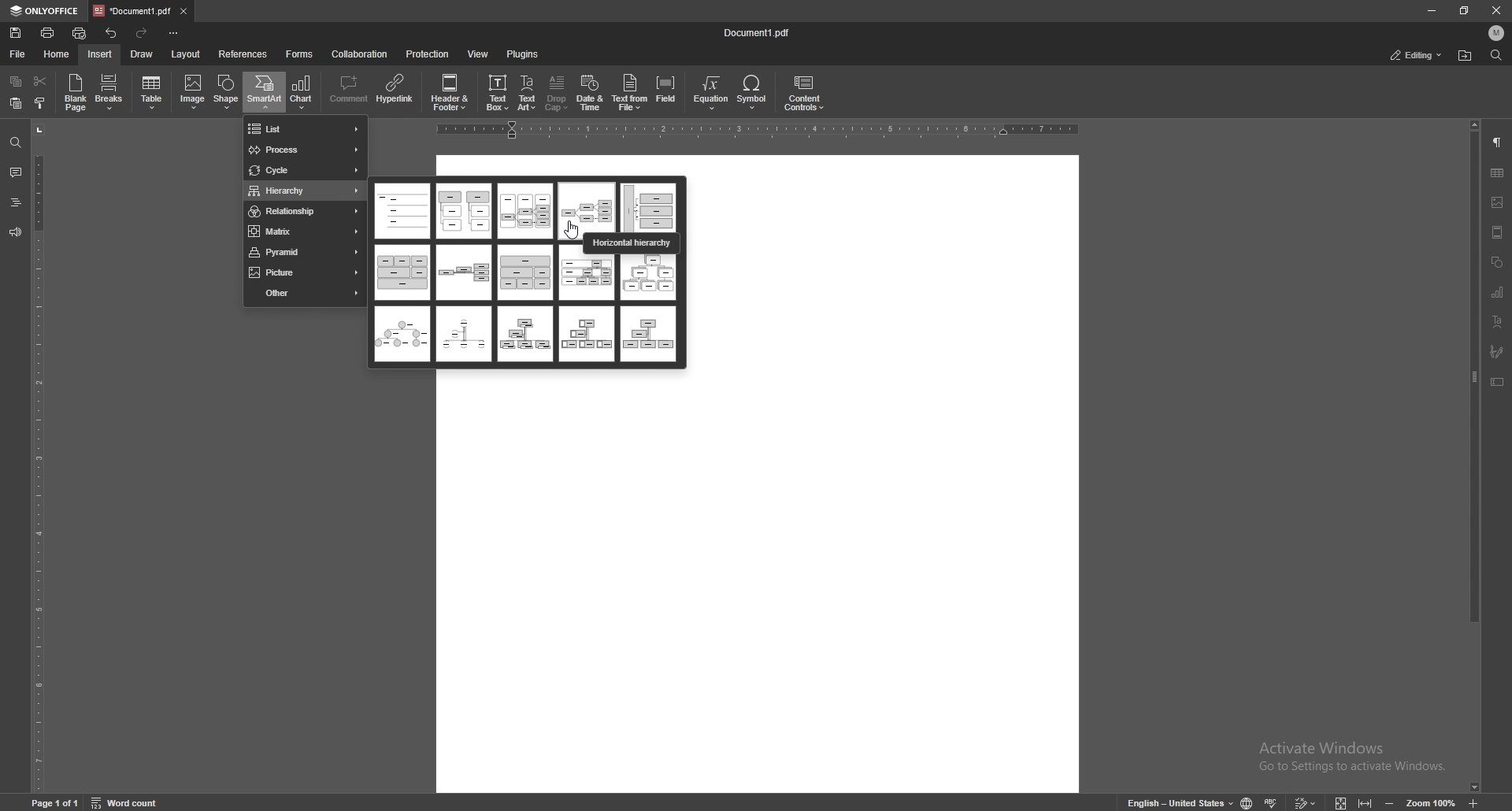 Image resolution: width=1512 pixels, height=811 pixels. Describe the element at coordinates (803, 93) in the screenshot. I see `content controls` at that location.